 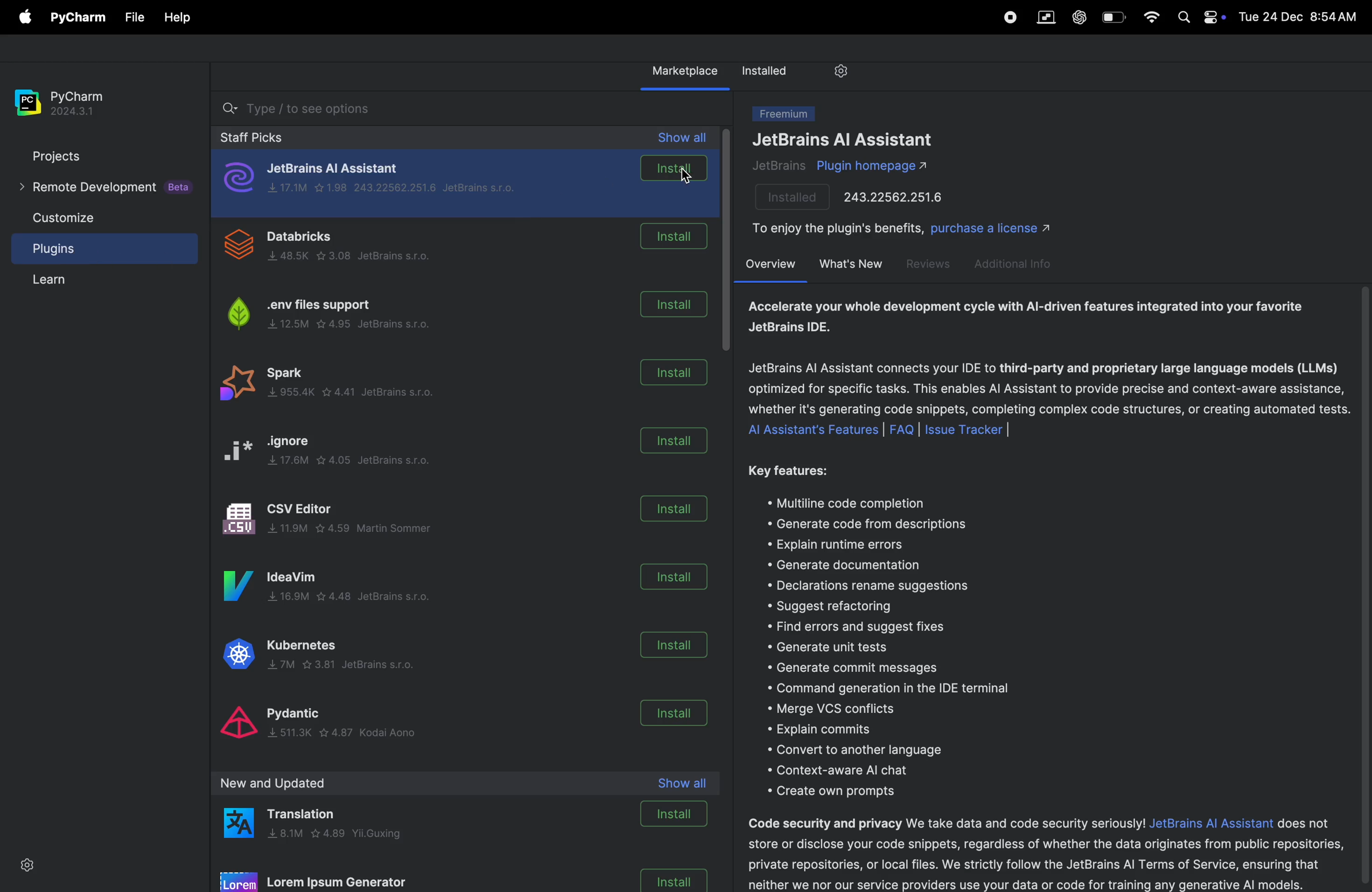 I want to click on port, so click(x=898, y=195).